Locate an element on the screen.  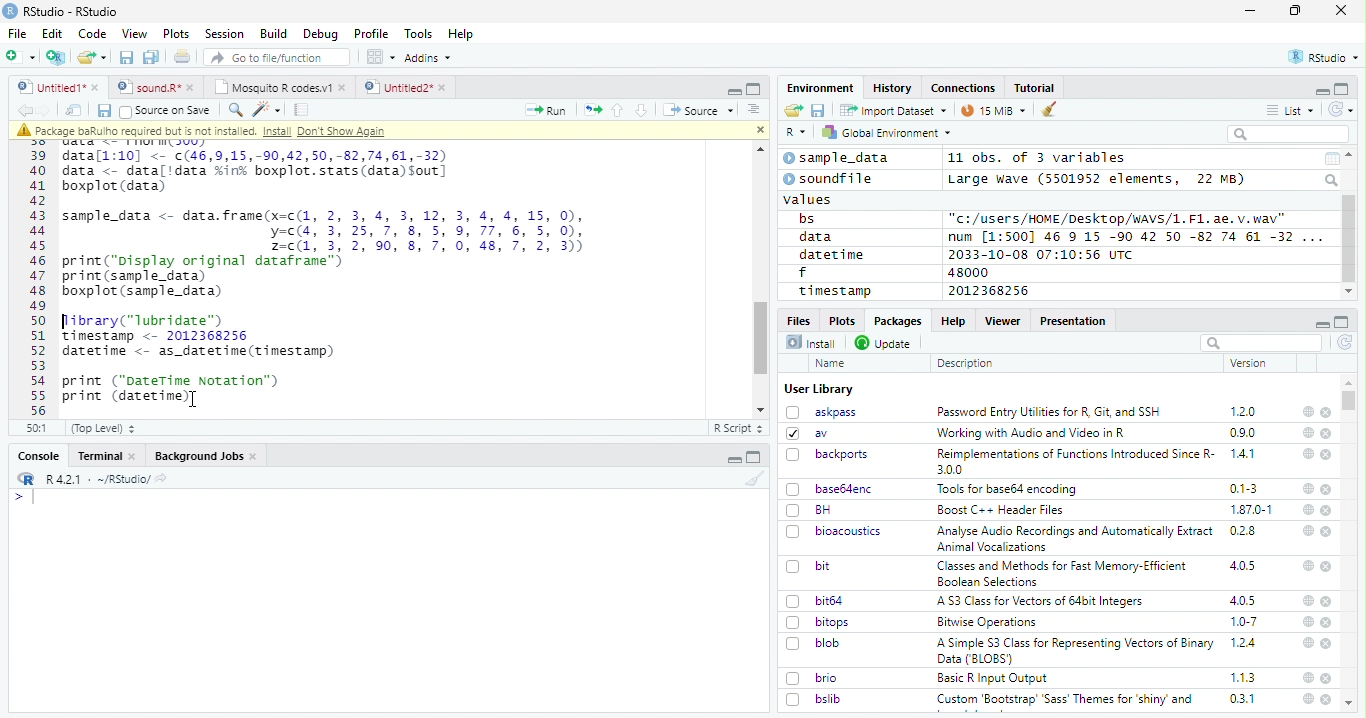
11 obs. of 3 variables is located at coordinates (1038, 159).